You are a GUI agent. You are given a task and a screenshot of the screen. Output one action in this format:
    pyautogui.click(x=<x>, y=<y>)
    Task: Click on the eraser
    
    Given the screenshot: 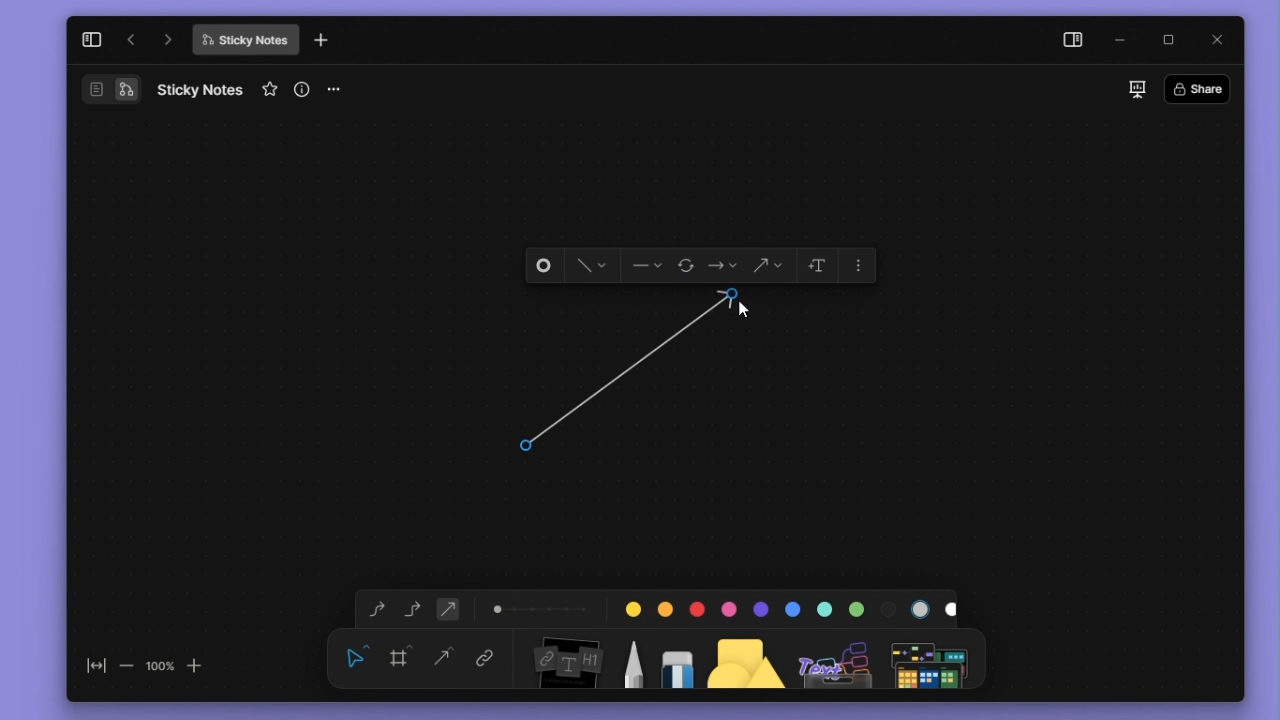 What is the action you would take?
    pyautogui.click(x=673, y=657)
    